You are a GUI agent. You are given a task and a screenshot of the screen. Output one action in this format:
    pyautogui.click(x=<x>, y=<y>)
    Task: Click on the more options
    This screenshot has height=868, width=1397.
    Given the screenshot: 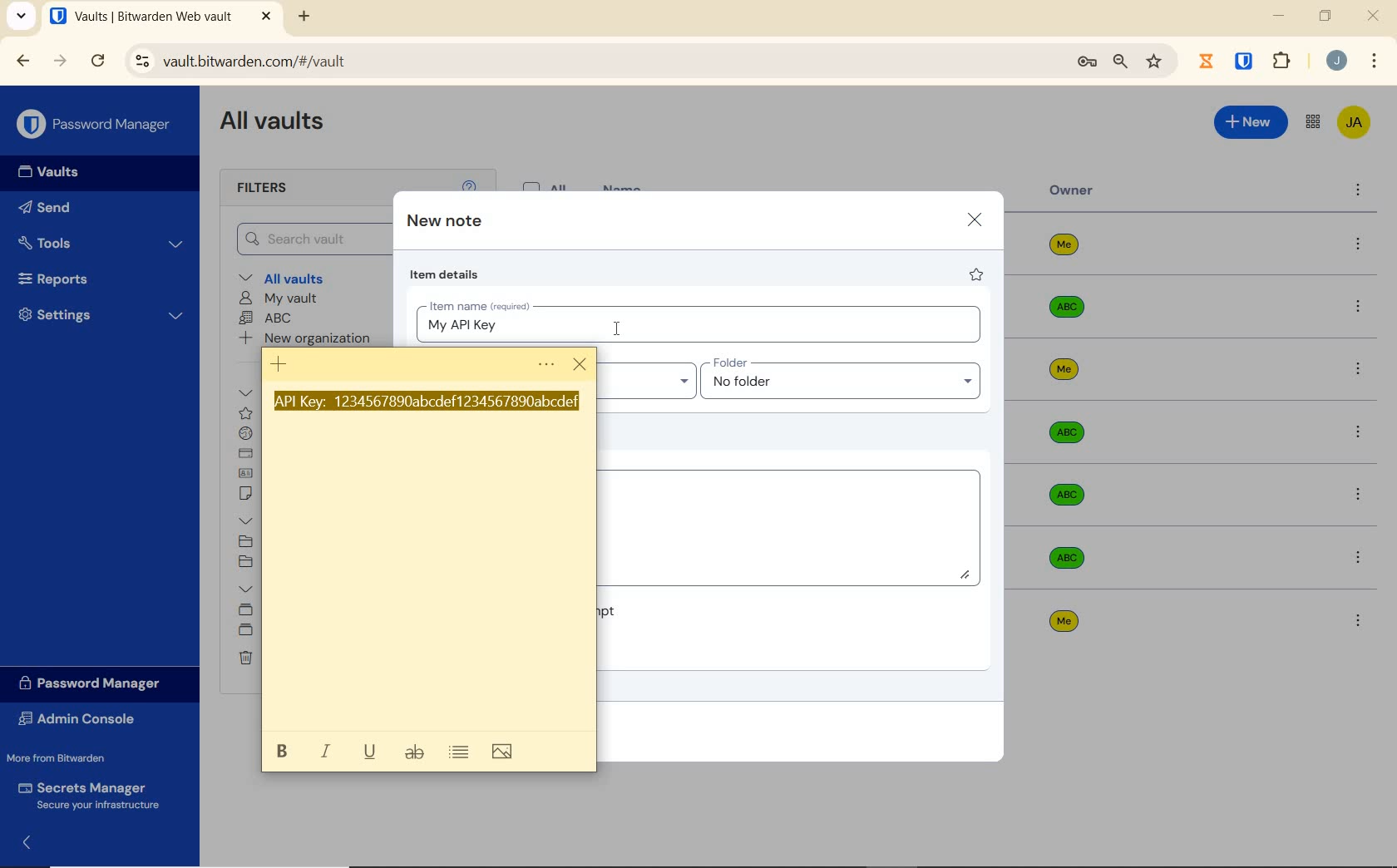 What is the action you would take?
    pyautogui.click(x=1359, y=372)
    